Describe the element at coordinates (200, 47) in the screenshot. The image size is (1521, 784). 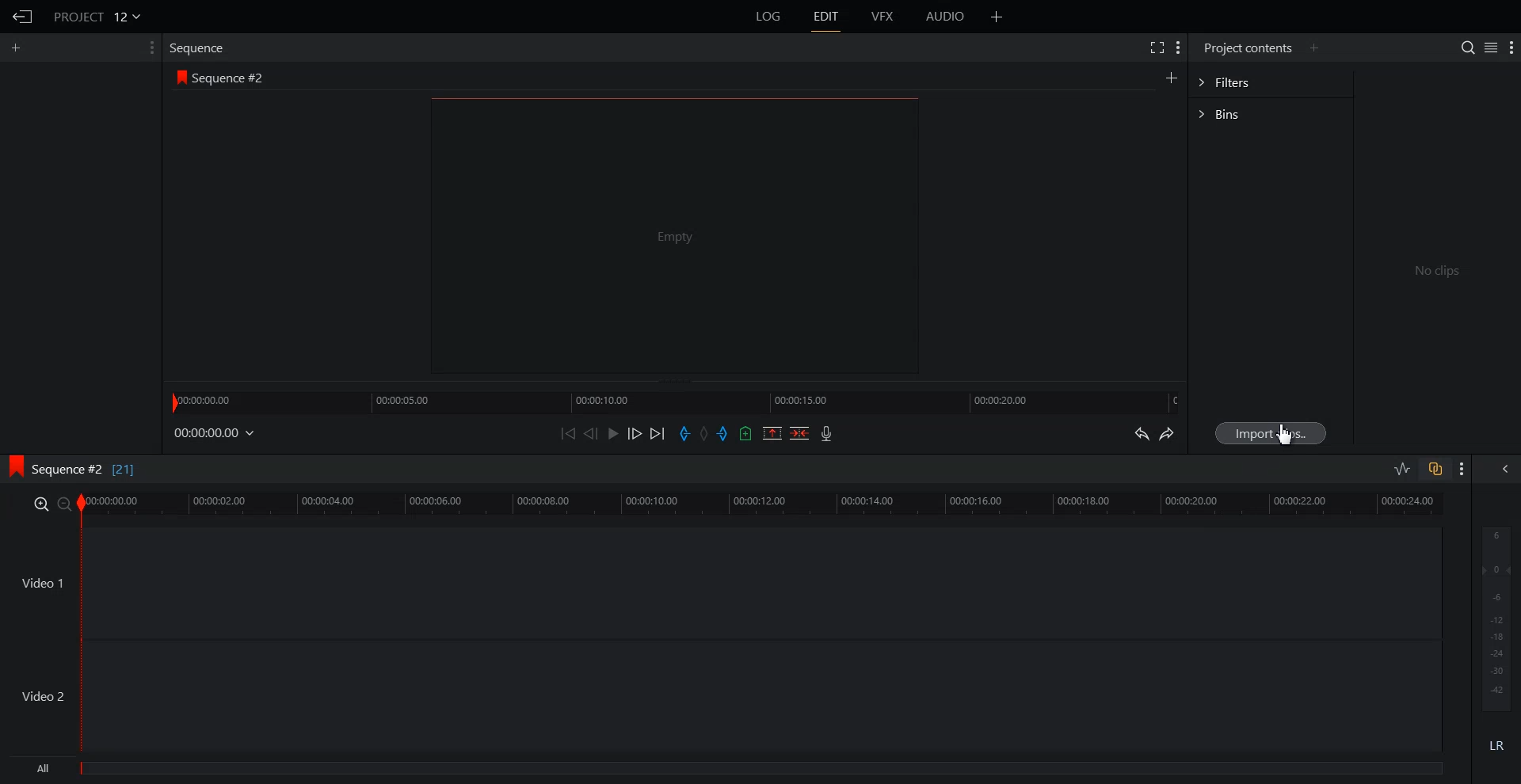
I see `Sequence` at that location.